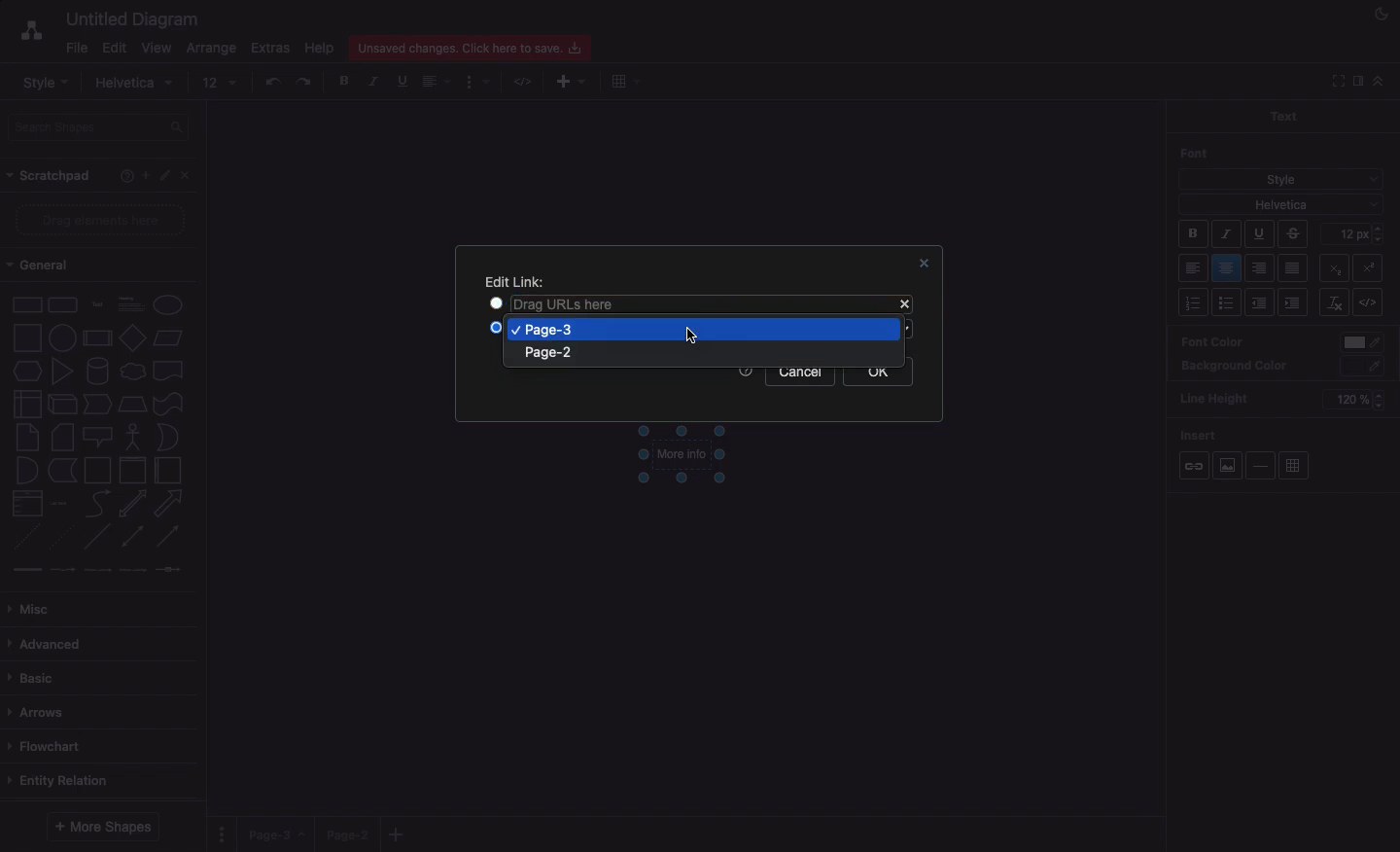 Image resolution: width=1400 pixels, height=852 pixels. Describe the element at coordinates (1221, 396) in the screenshot. I see `Line height` at that location.